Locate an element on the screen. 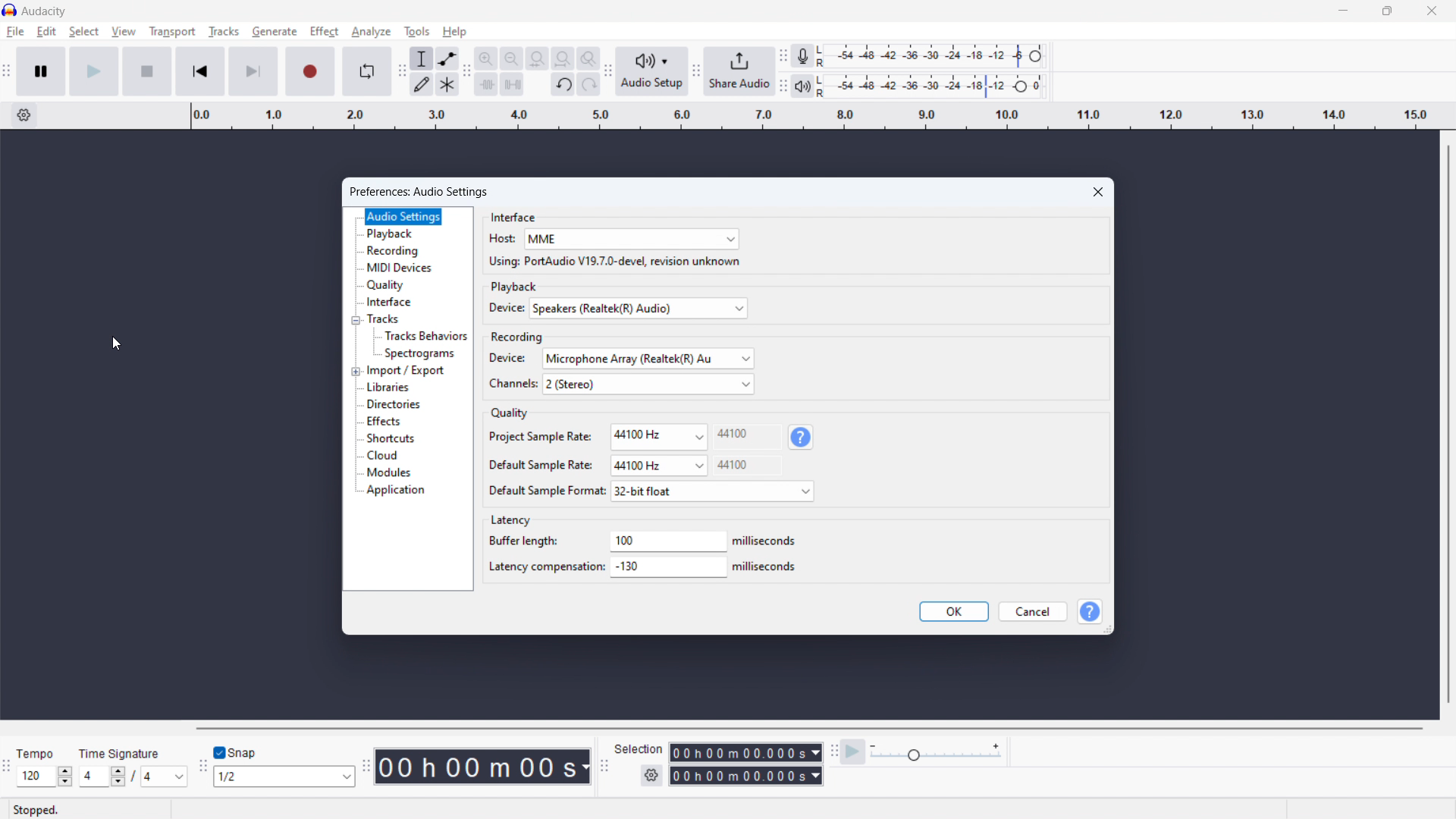  set default sample rate is located at coordinates (658, 466).